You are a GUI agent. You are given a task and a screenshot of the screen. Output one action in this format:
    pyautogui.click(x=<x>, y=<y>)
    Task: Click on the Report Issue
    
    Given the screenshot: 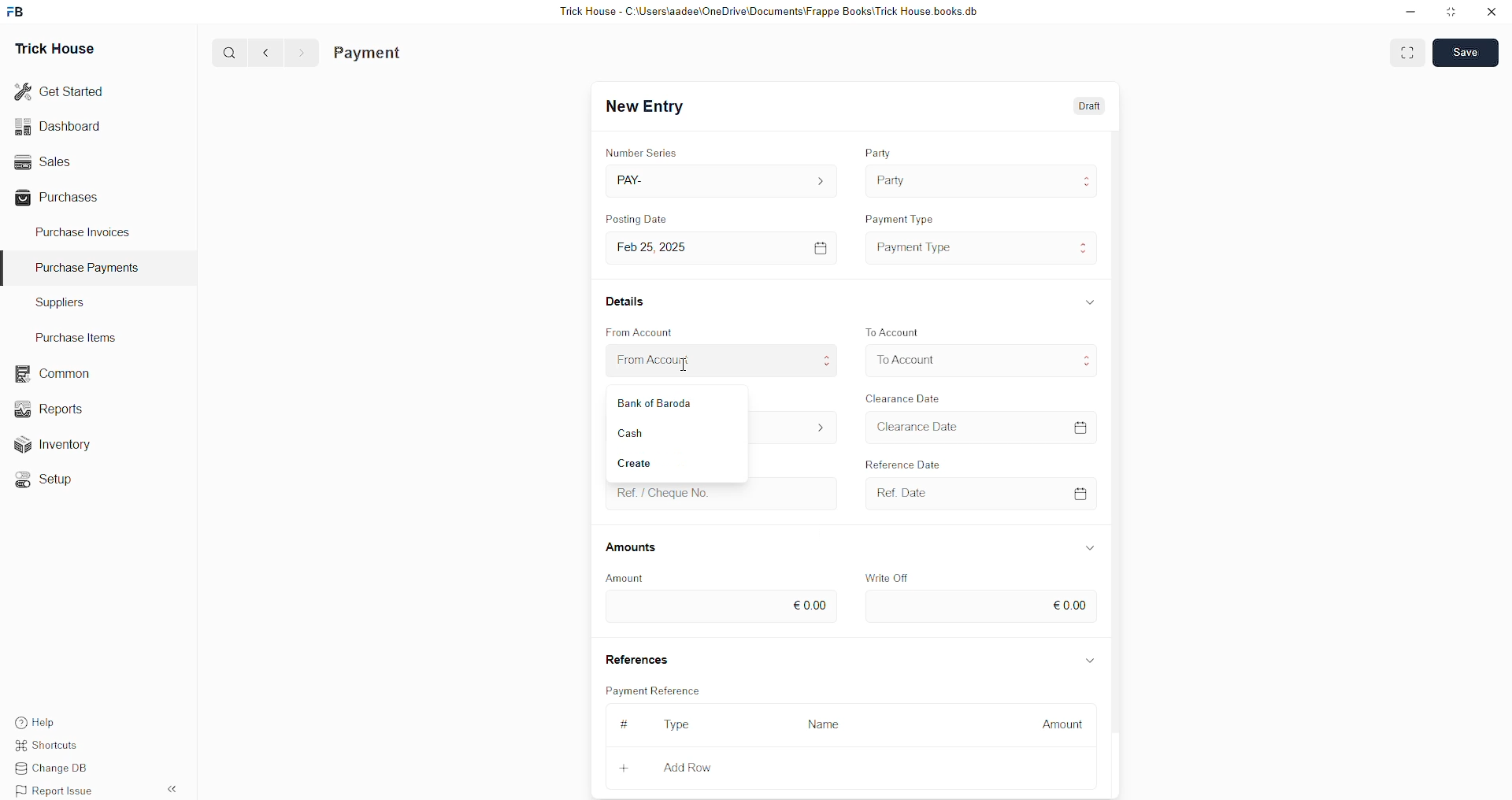 What is the action you would take?
    pyautogui.click(x=59, y=791)
    